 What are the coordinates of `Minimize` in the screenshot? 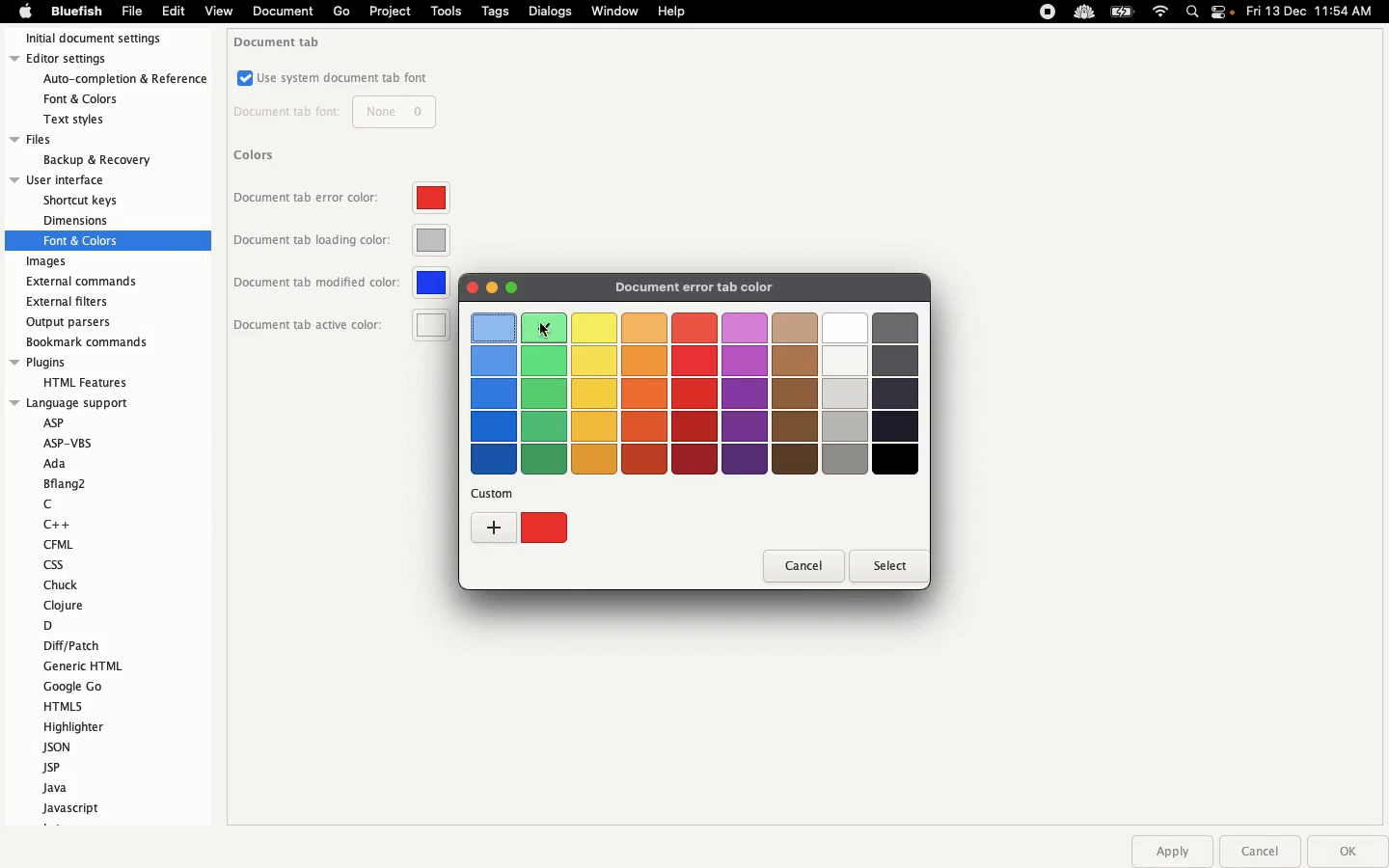 It's located at (491, 288).